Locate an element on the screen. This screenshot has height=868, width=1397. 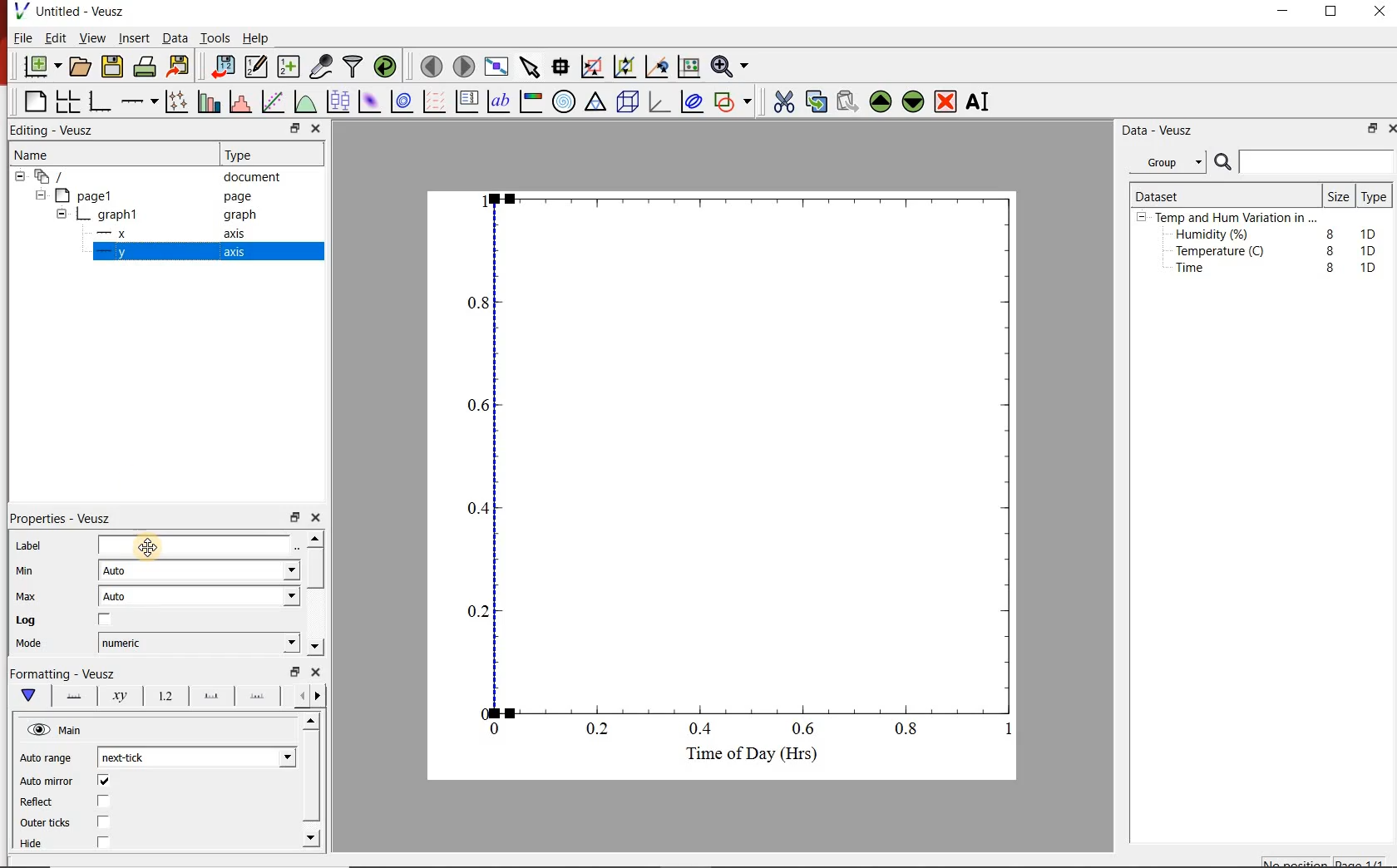
document widget is located at coordinates (59, 177).